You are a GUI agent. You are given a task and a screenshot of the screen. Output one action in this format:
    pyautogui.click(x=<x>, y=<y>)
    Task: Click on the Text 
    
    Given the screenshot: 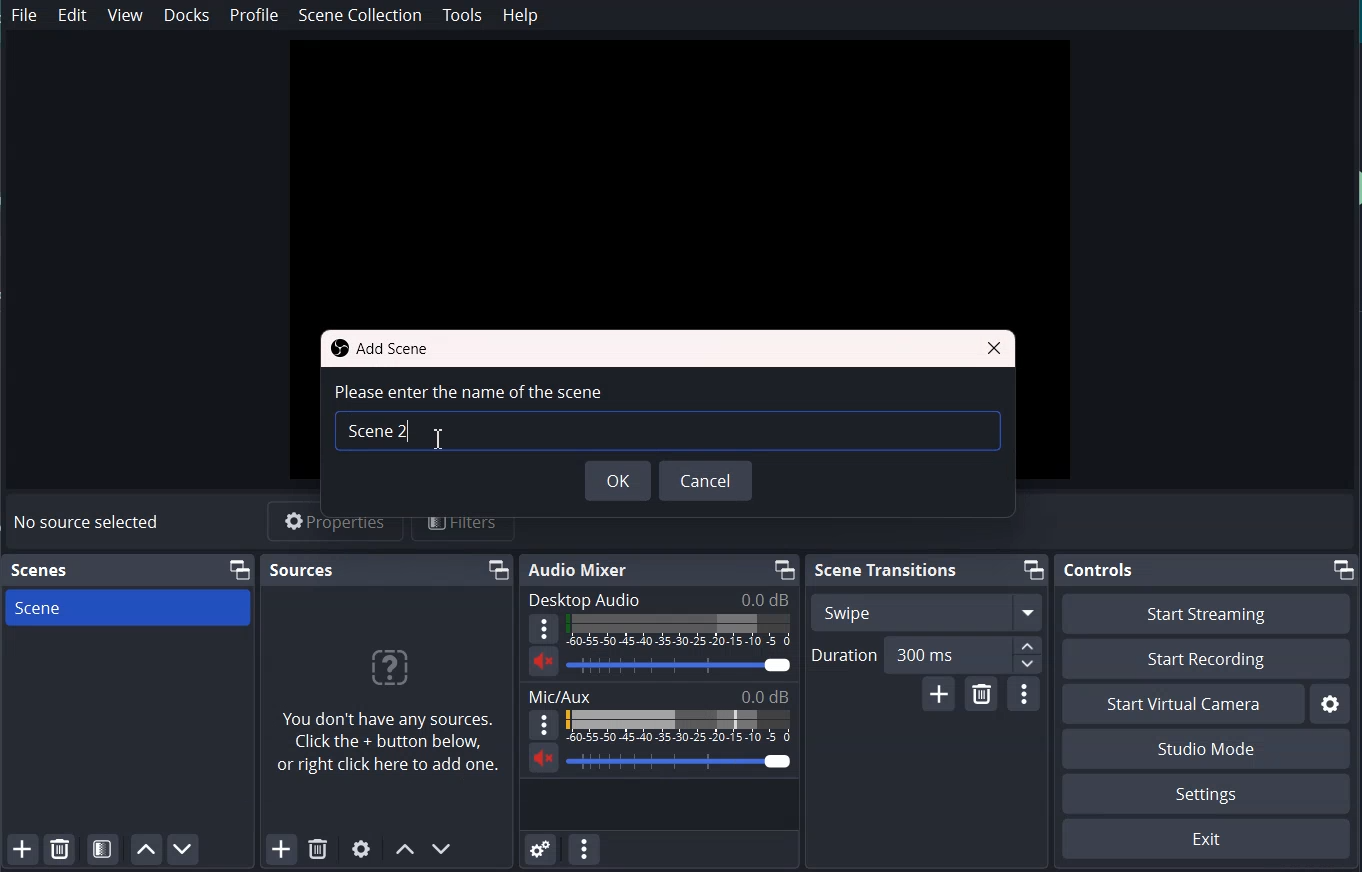 What is the action you would take?
    pyautogui.click(x=42, y=571)
    